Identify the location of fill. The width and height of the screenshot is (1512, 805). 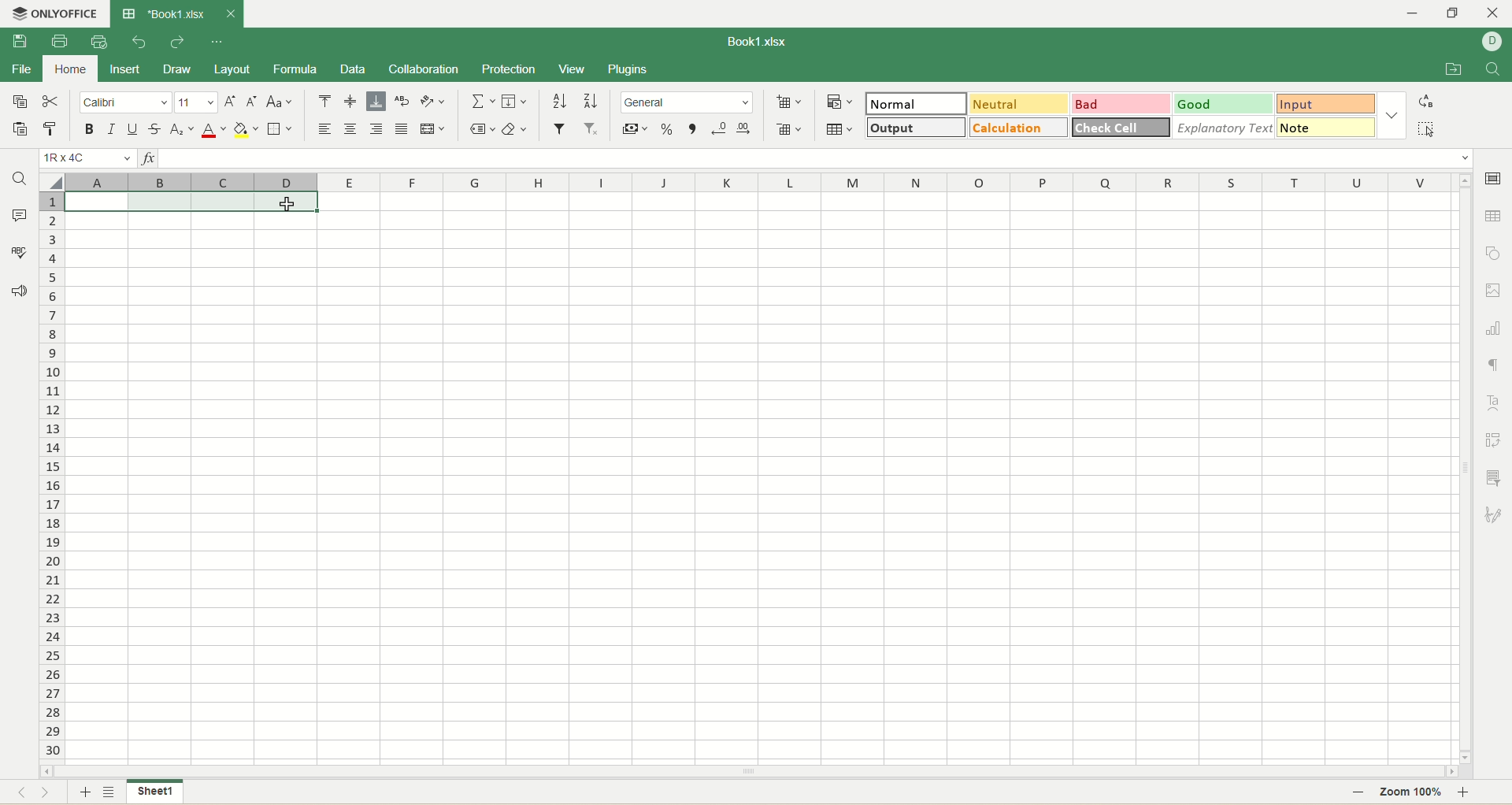
(514, 100).